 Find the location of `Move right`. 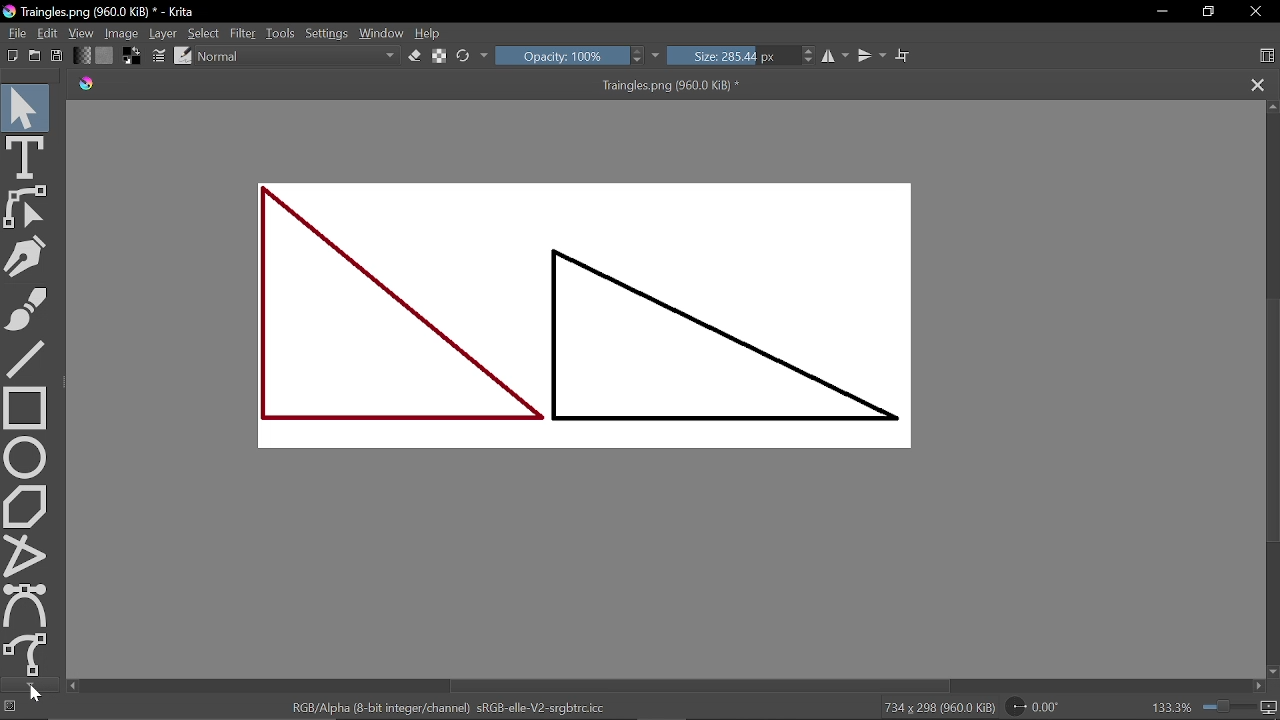

Move right is located at coordinates (1258, 685).